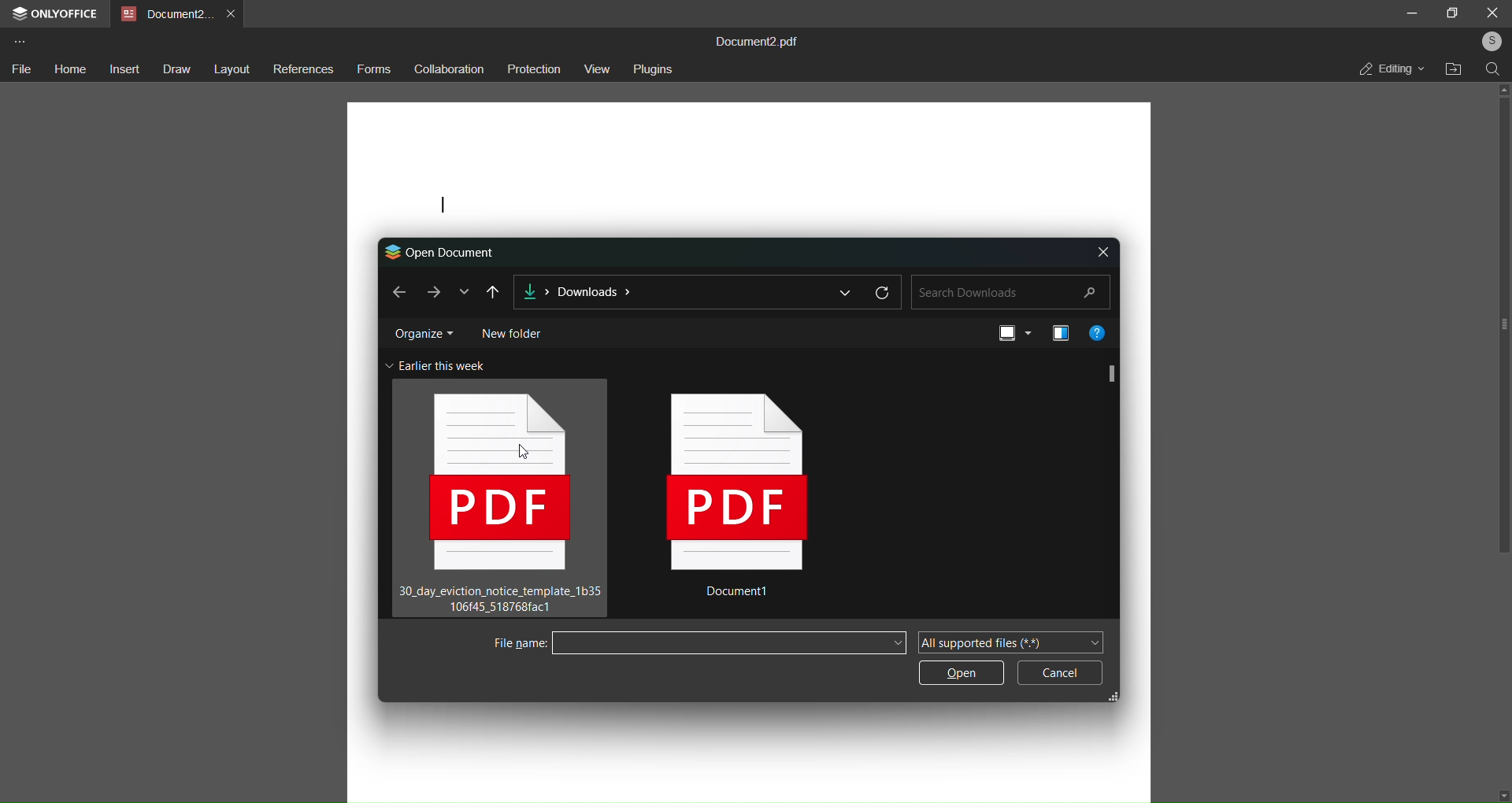 The width and height of the screenshot is (1512, 803). I want to click on more, so click(19, 41).